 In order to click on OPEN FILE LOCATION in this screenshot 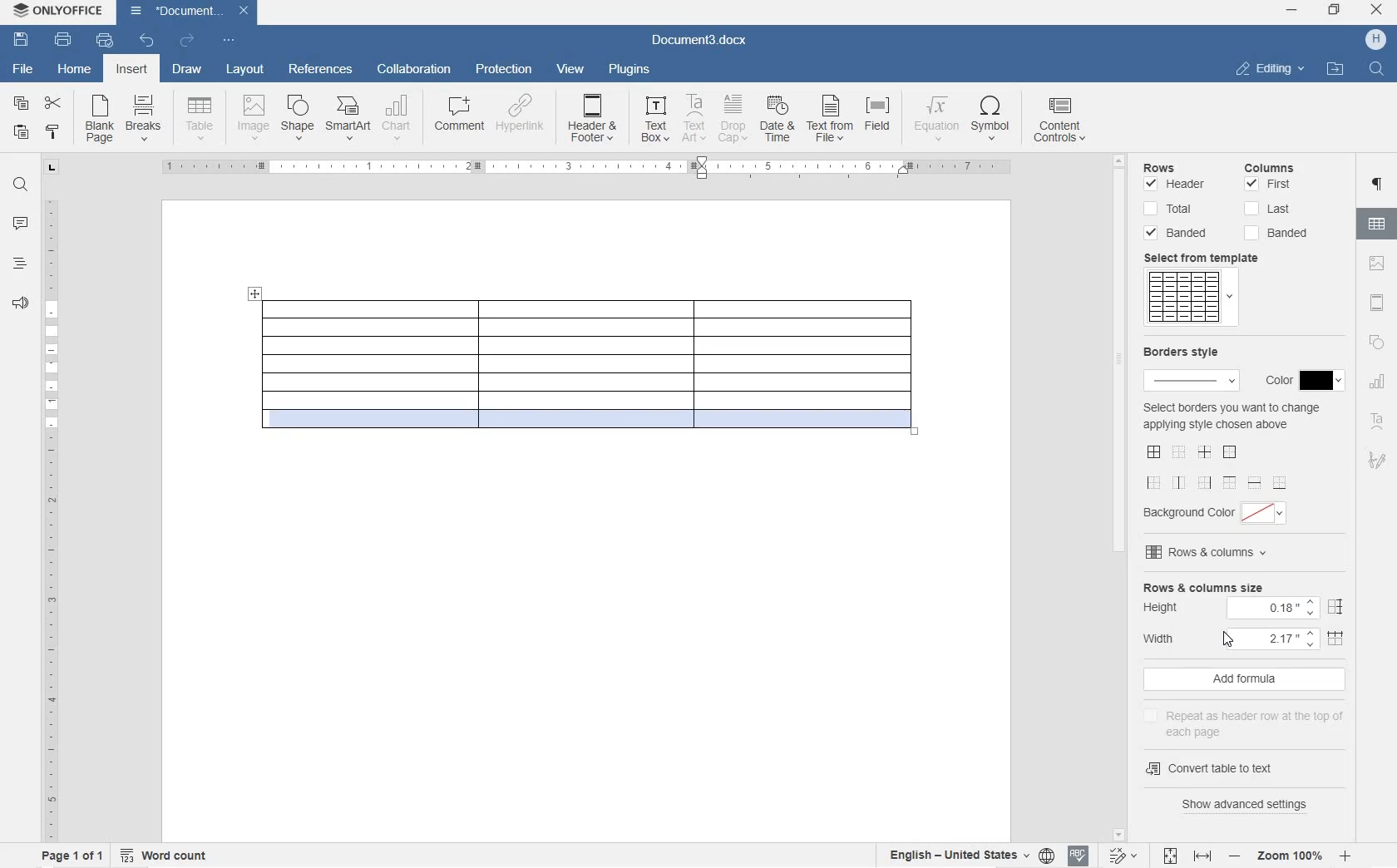, I will do `click(1333, 67)`.